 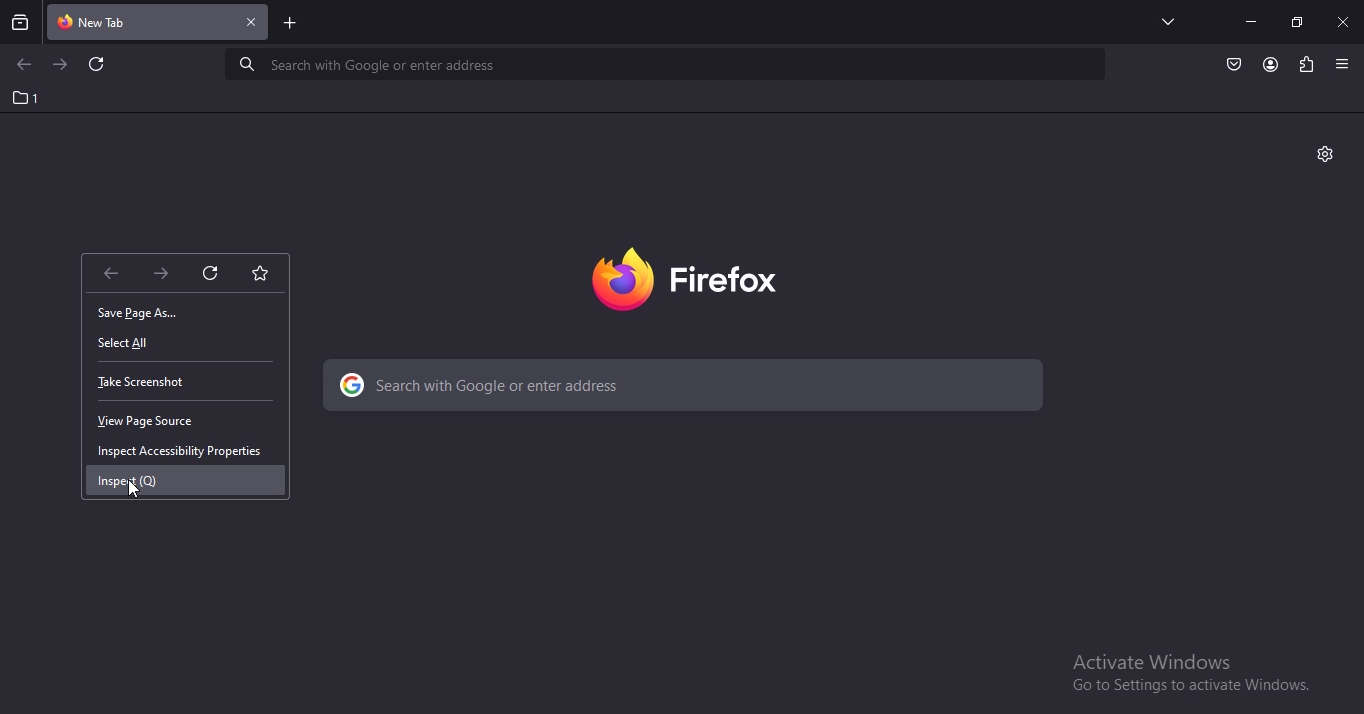 I want to click on account, so click(x=1271, y=64).